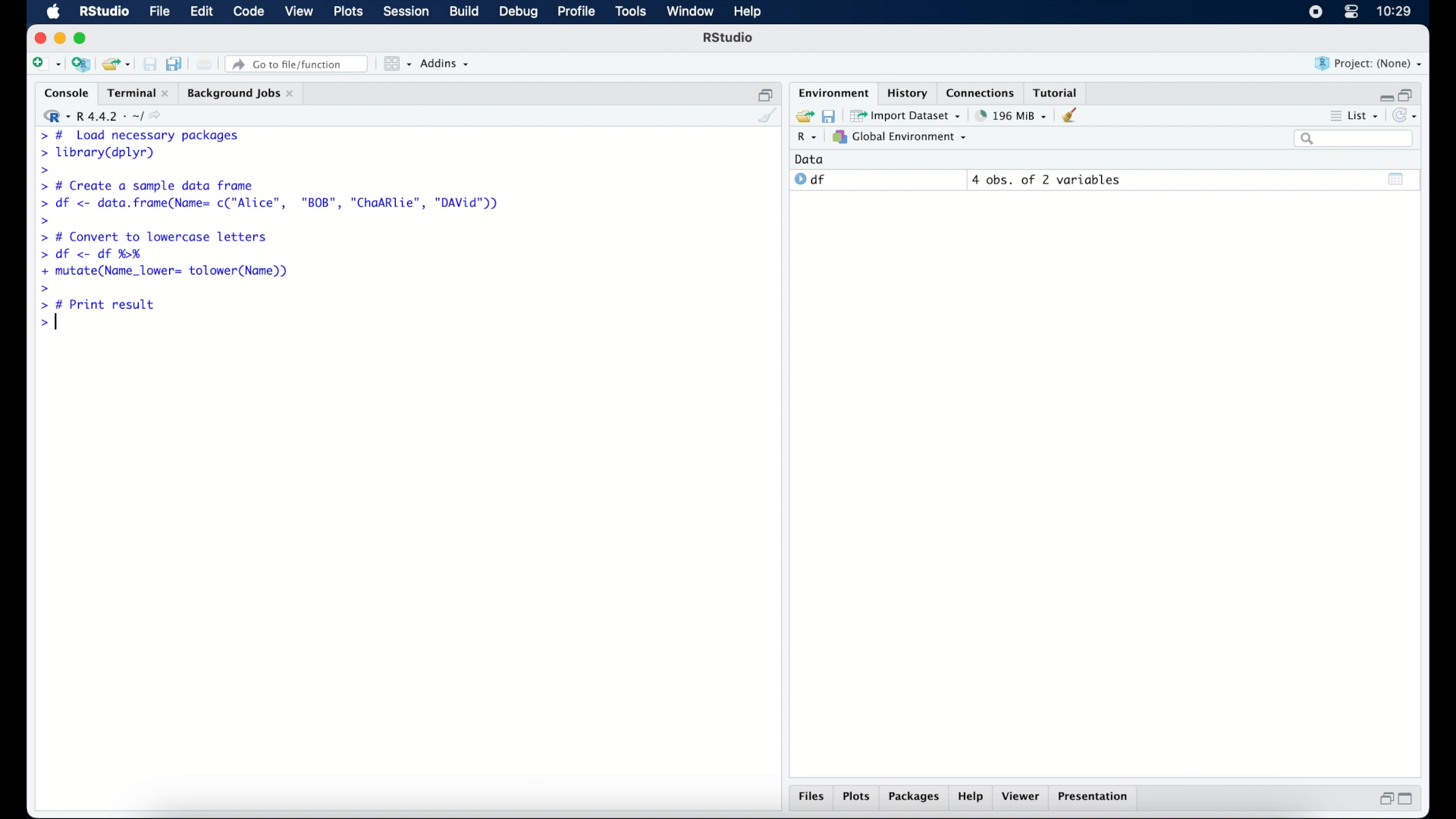 This screenshot has height=819, width=1456. Describe the element at coordinates (1397, 178) in the screenshot. I see `show output  window` at that location.